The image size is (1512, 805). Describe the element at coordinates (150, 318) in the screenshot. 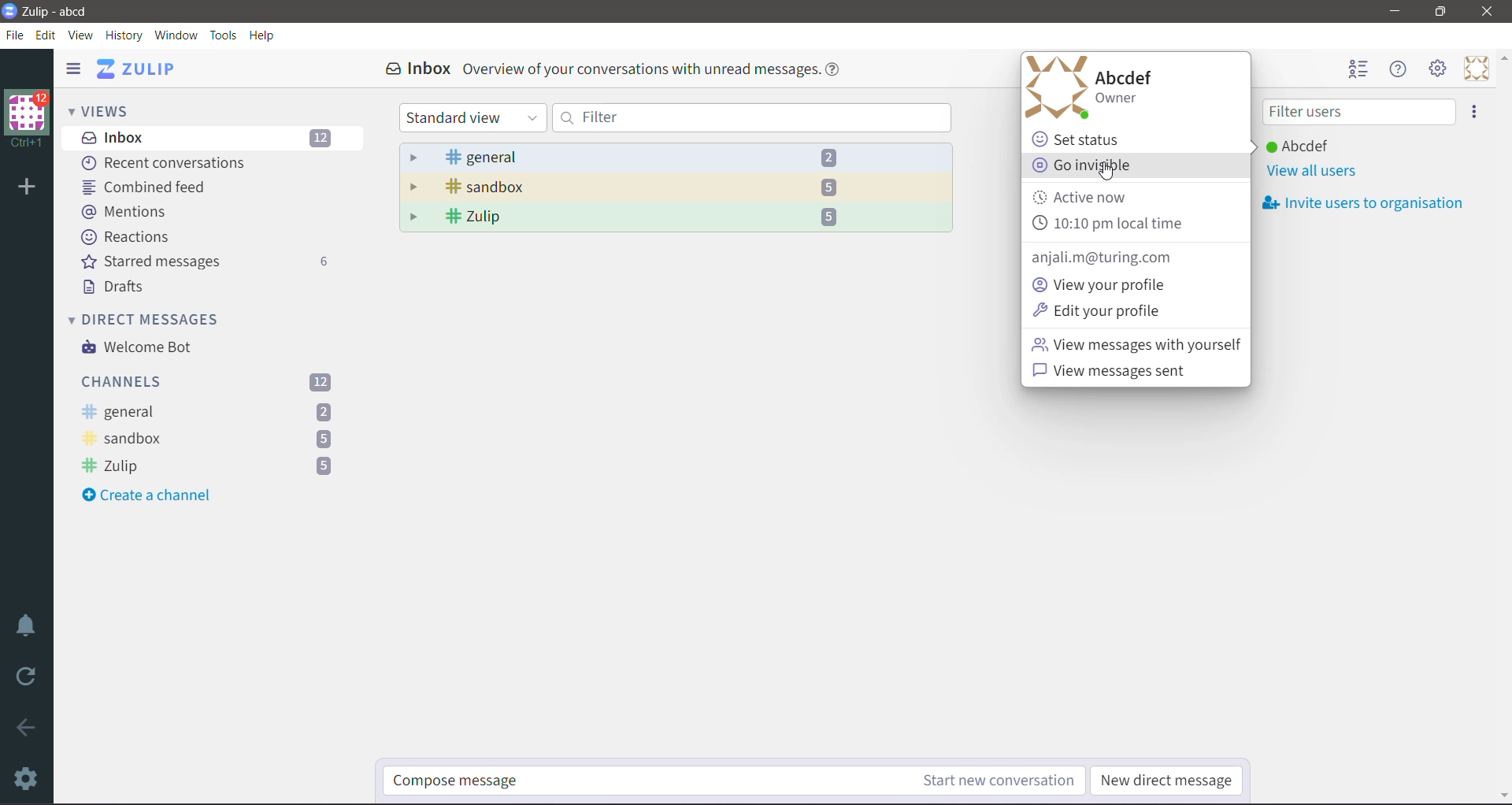

I see `Direct Messages` at that location.